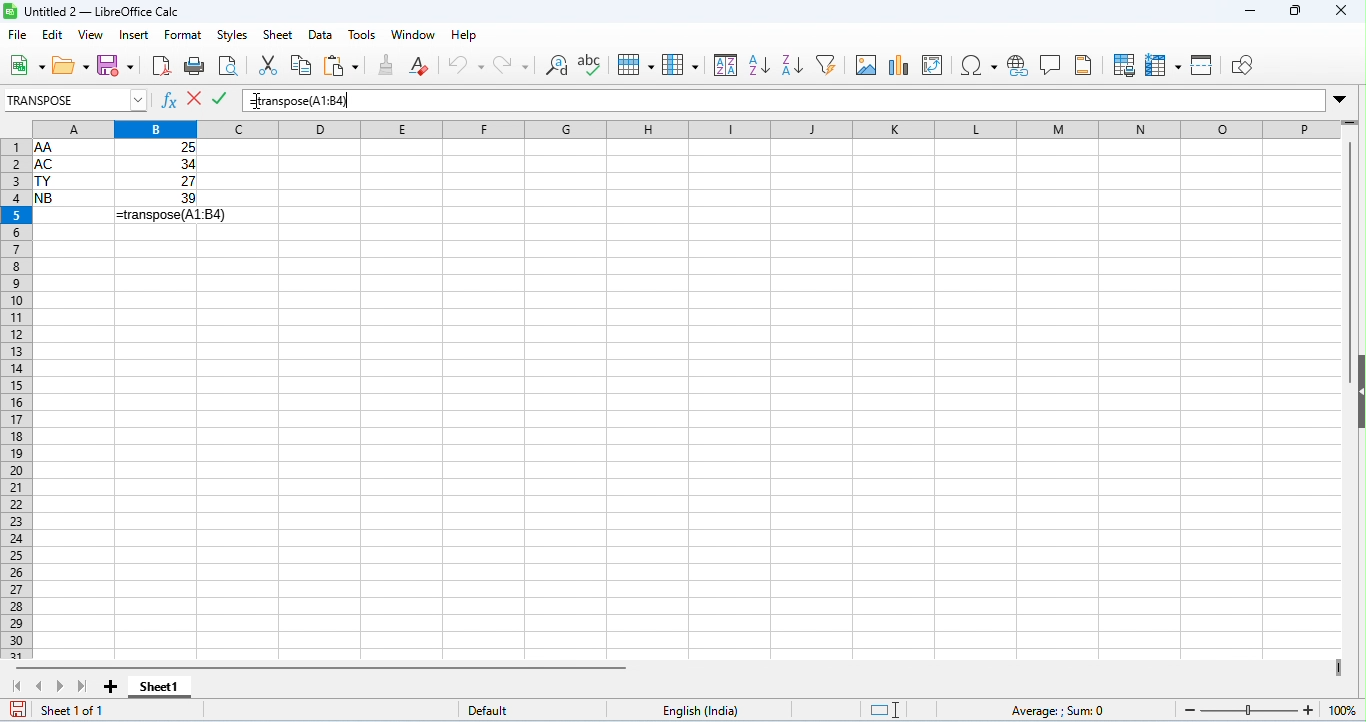 This screenshot has height=722, width=1366. I want to click on freeze rows and columns, so click(1164, 66).